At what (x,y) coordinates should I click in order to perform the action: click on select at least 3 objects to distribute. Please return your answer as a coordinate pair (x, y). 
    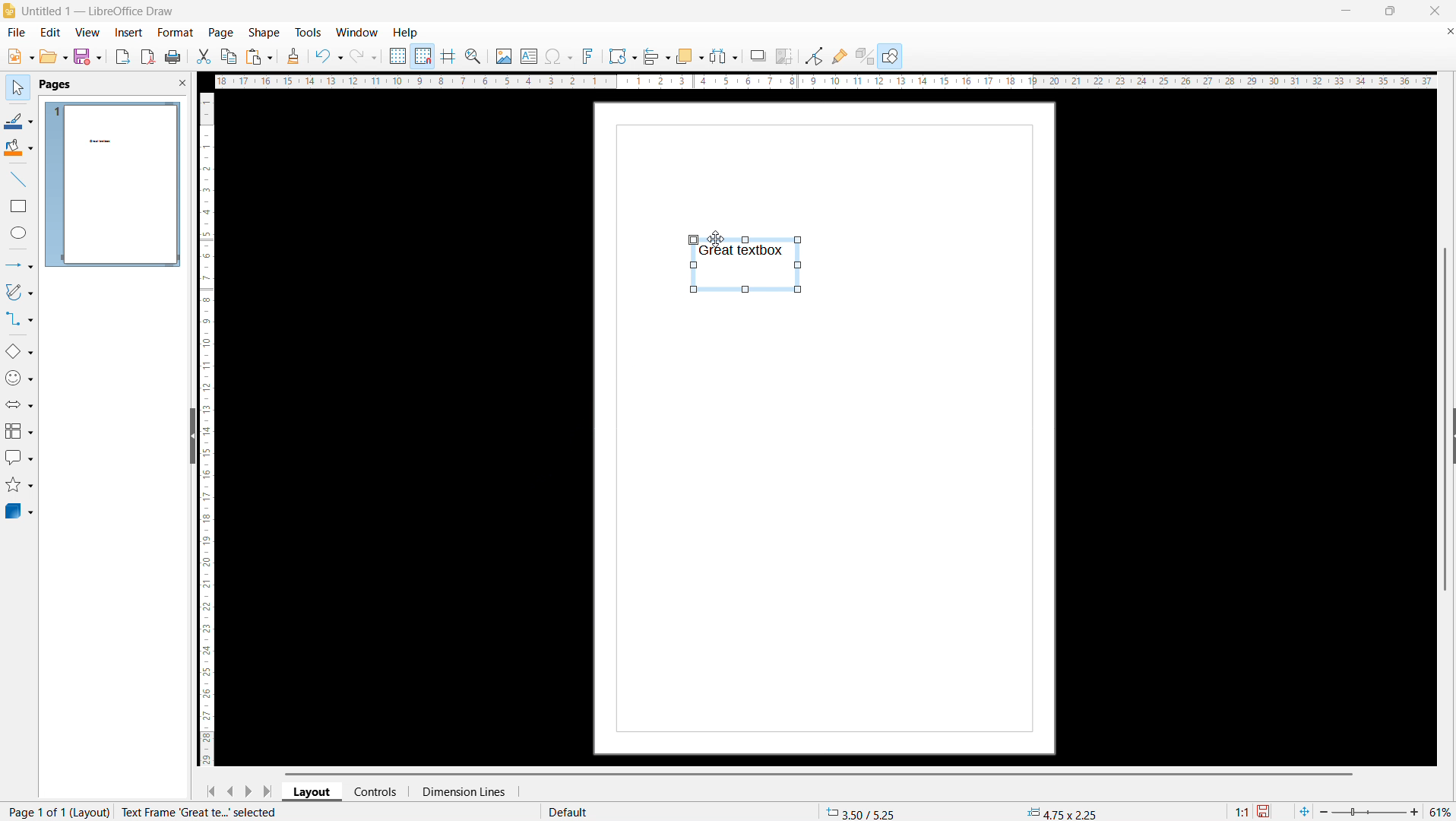
    Looking at the image, I should click on (724, 55).